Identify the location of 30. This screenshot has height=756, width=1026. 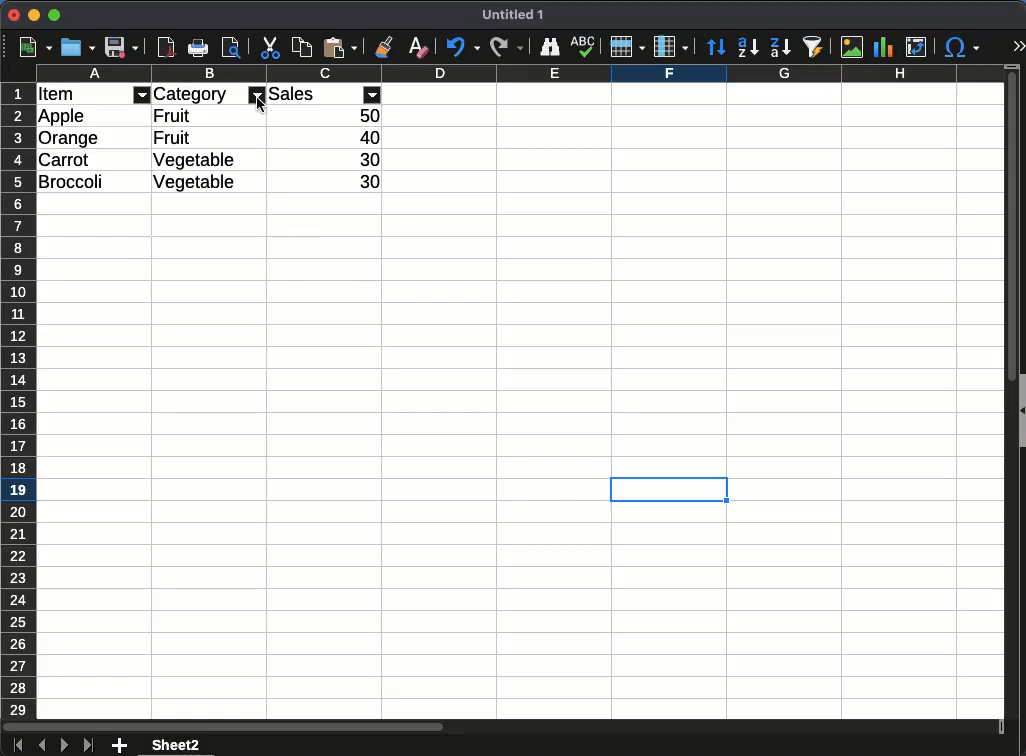
(365, 161).